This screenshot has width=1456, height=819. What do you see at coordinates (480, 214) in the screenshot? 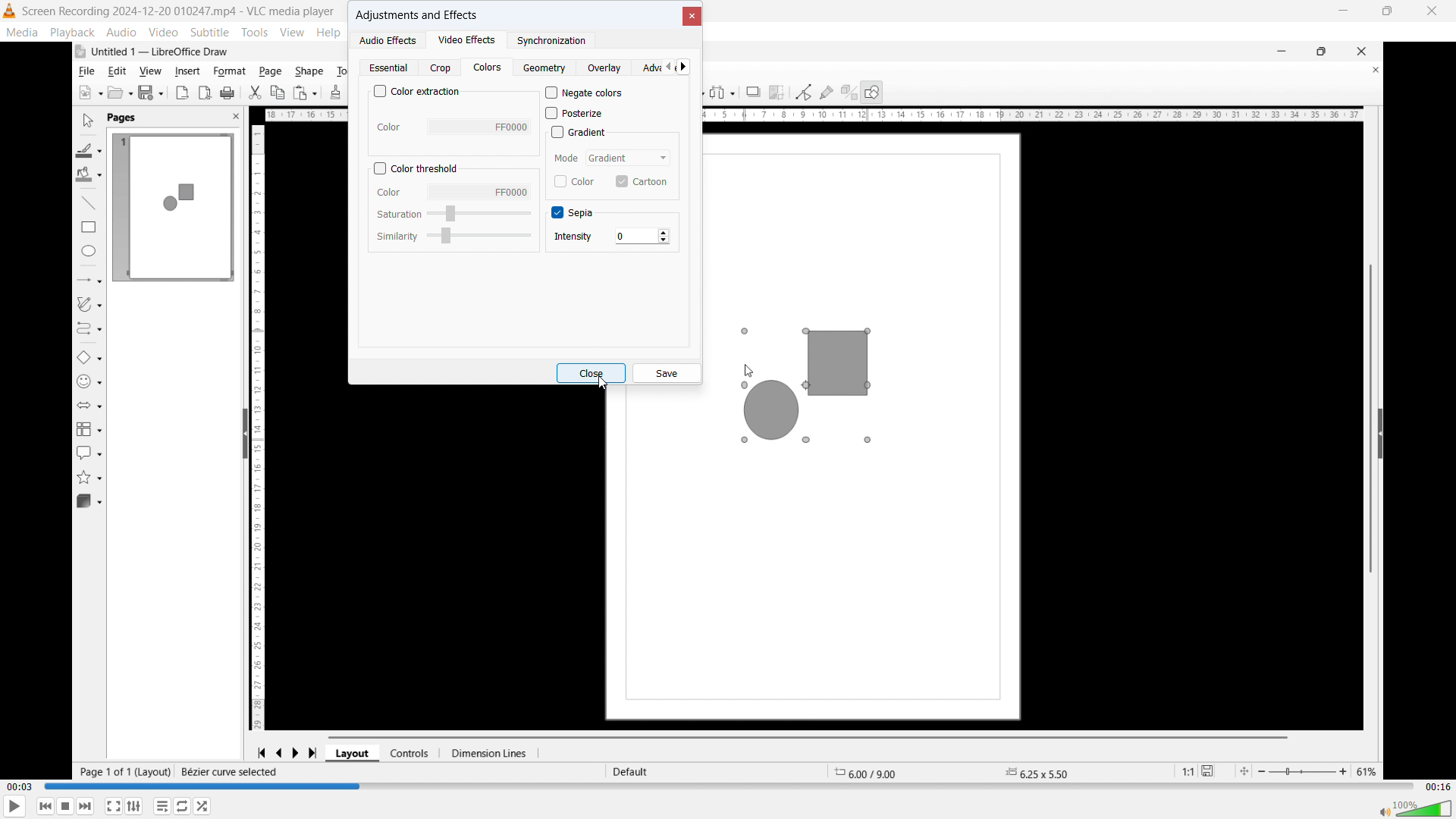
I see `Select saturation ` at bounding box center [480, 214].